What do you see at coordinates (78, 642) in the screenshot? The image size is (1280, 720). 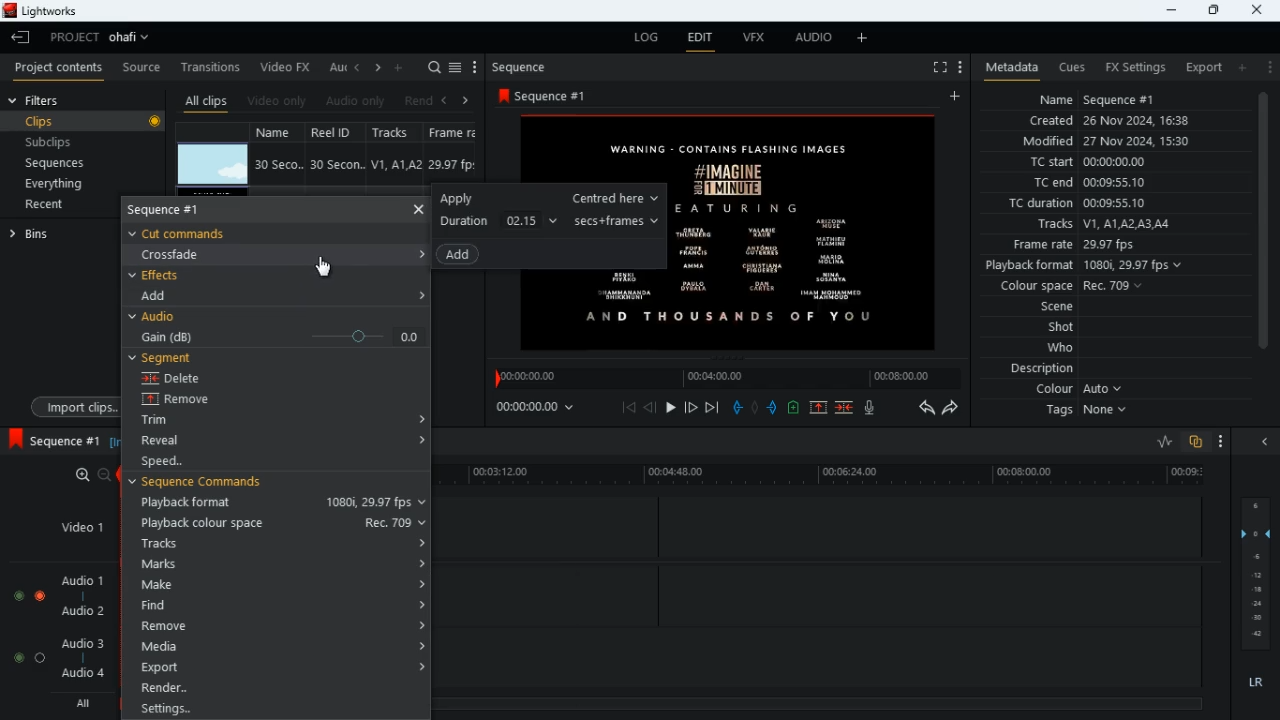 I see `audio 3` at bounding box center [78, 642].